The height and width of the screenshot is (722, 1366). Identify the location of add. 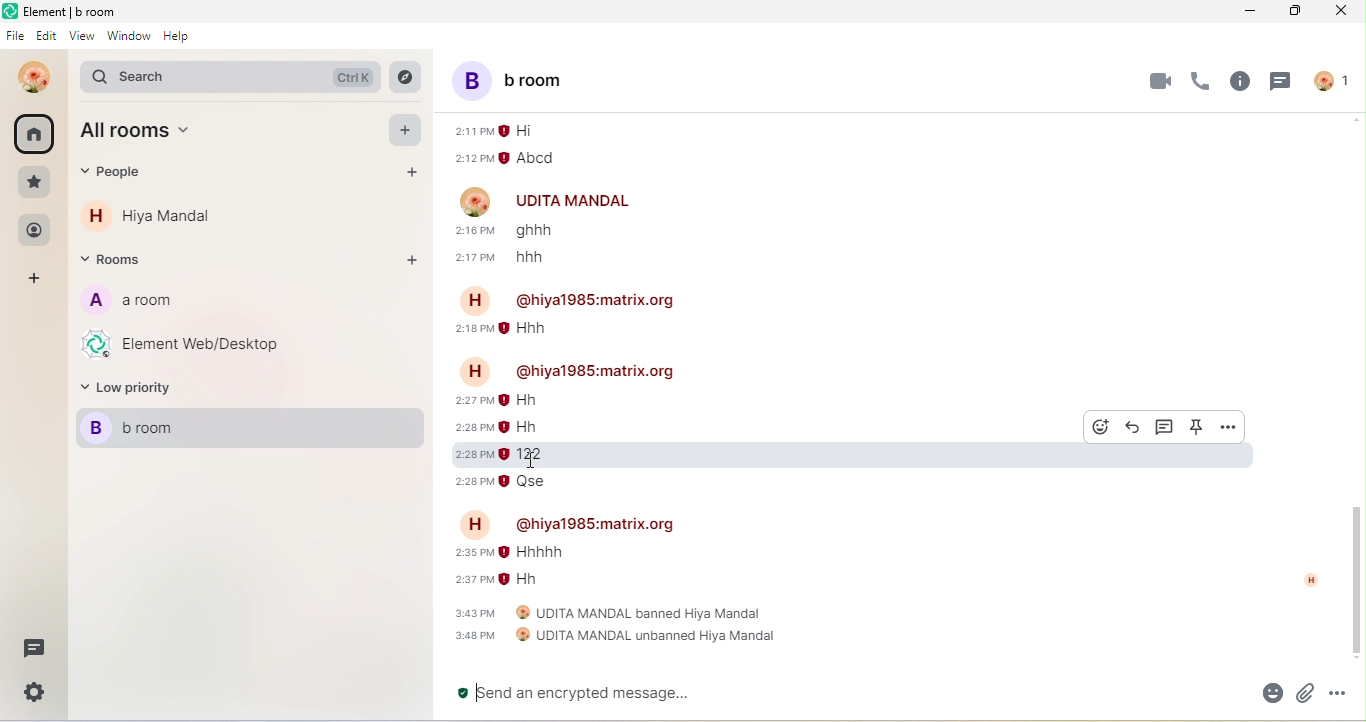
(37, 280).